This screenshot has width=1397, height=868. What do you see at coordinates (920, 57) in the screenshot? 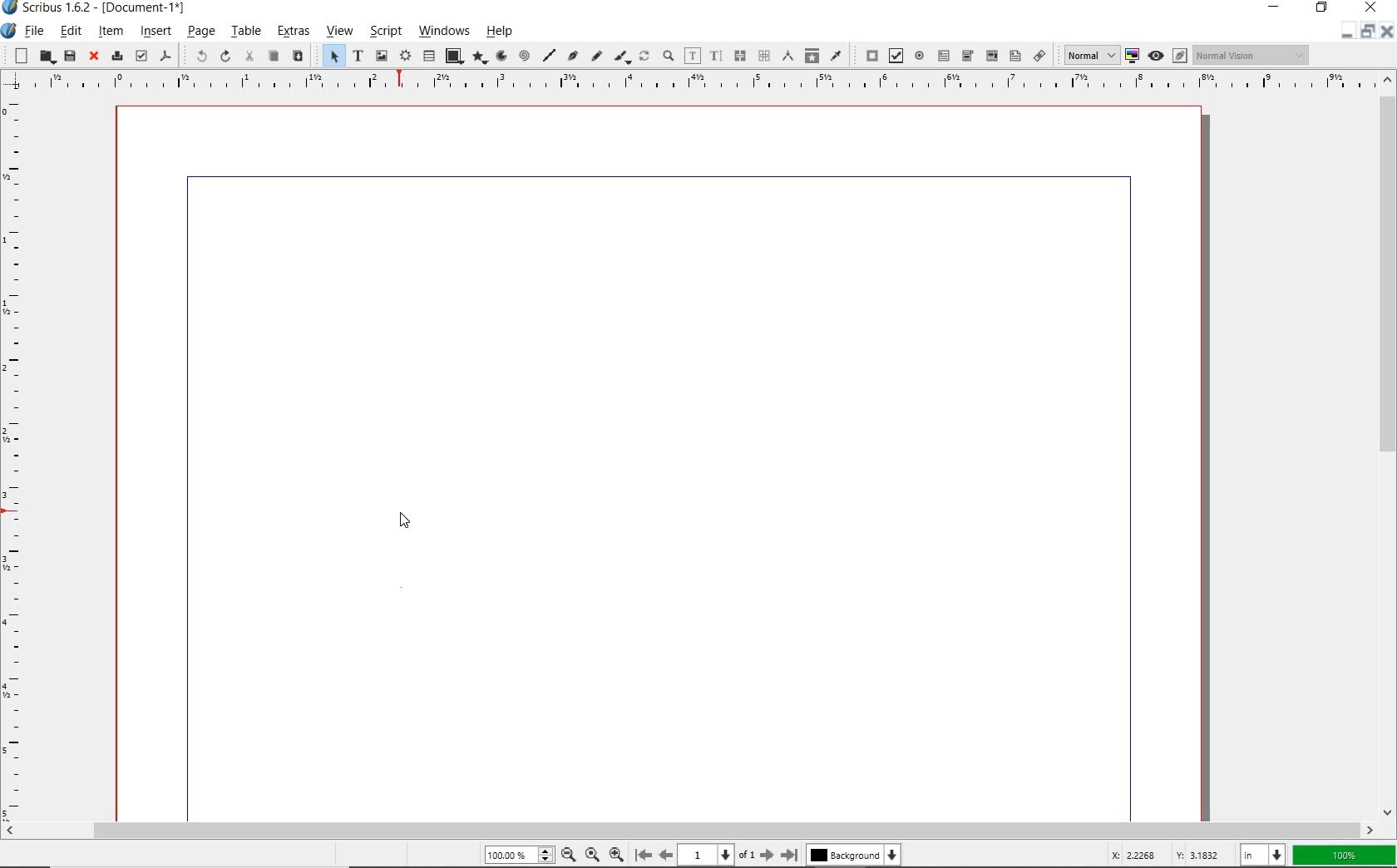
I see `pdf radio button` at bounding box center [920, 57].